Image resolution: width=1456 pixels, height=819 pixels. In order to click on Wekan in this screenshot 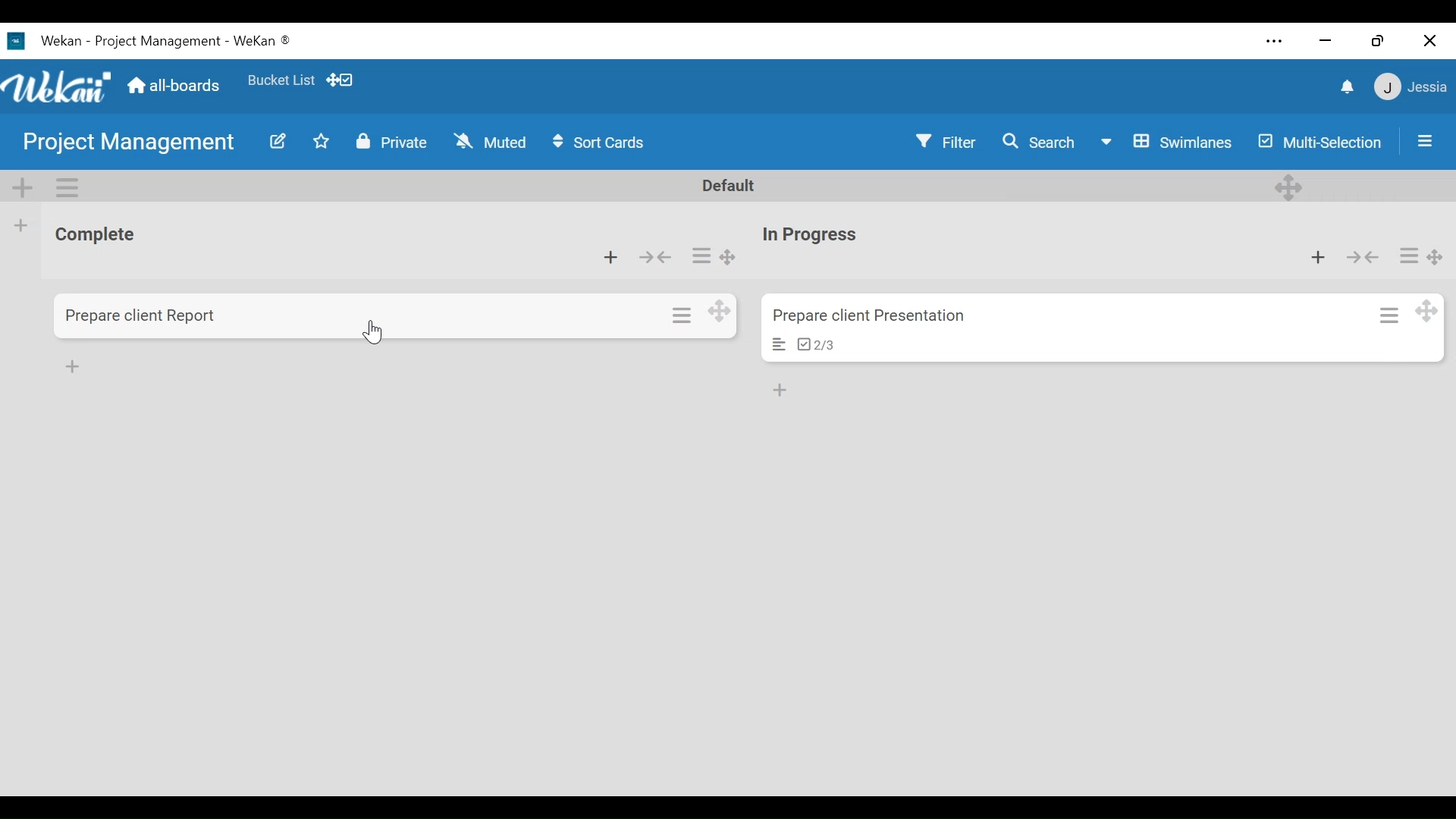, I will do `click(56, 86)`.